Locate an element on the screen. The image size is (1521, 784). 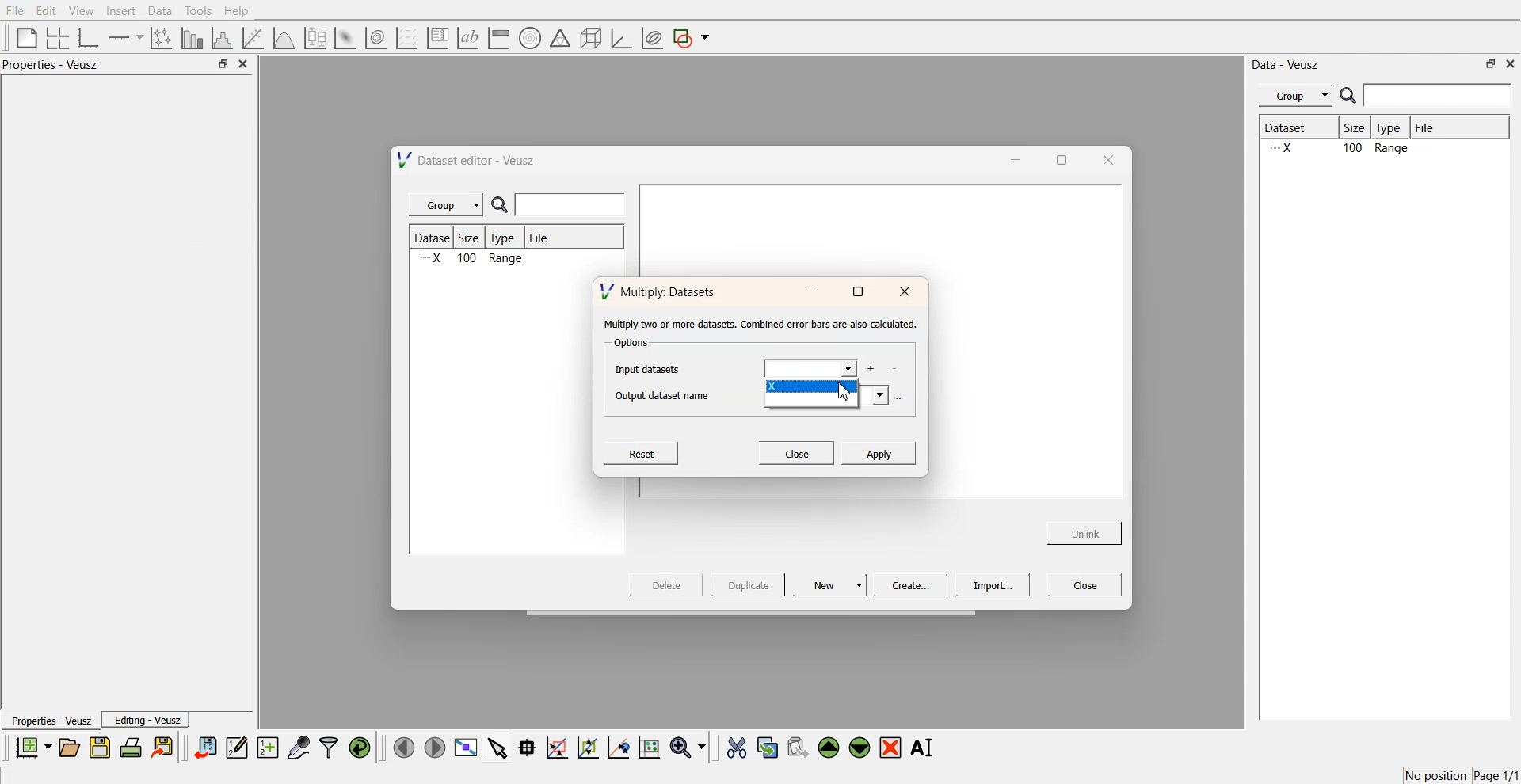
move left is located at coordinates (404, 747).